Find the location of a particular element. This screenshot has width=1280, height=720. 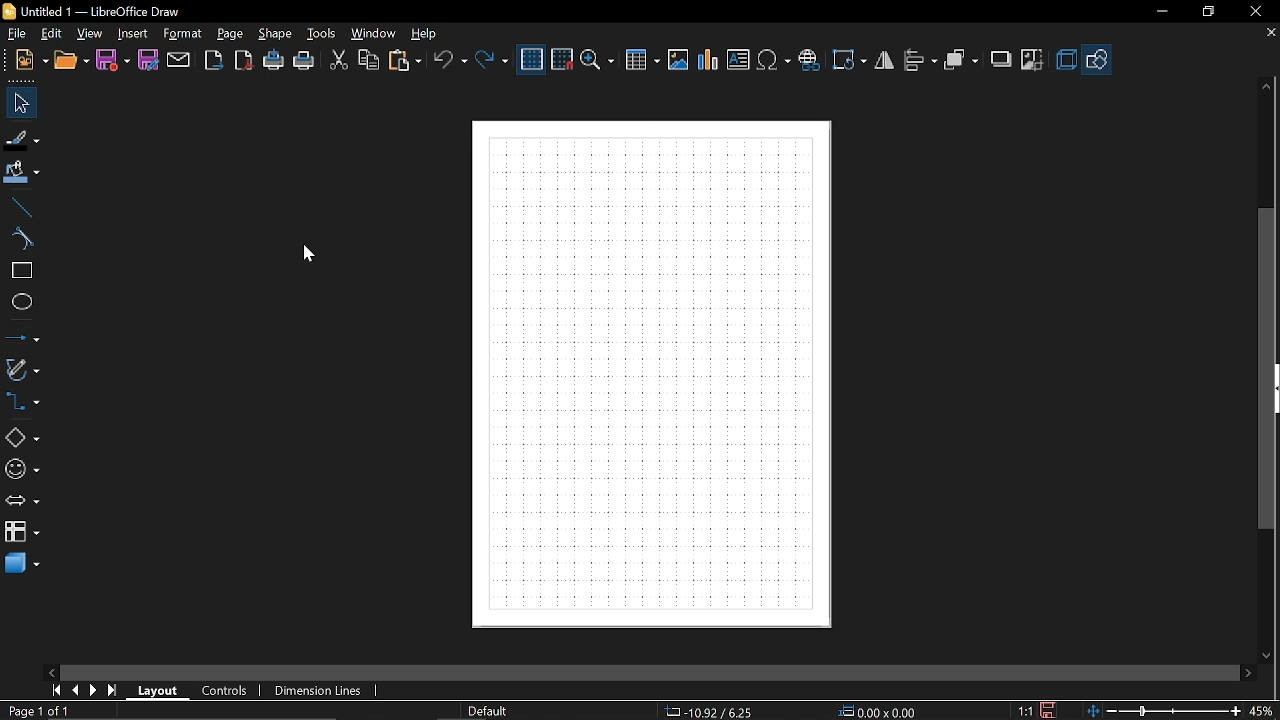

Display grid is located at coordinates (532, 60).